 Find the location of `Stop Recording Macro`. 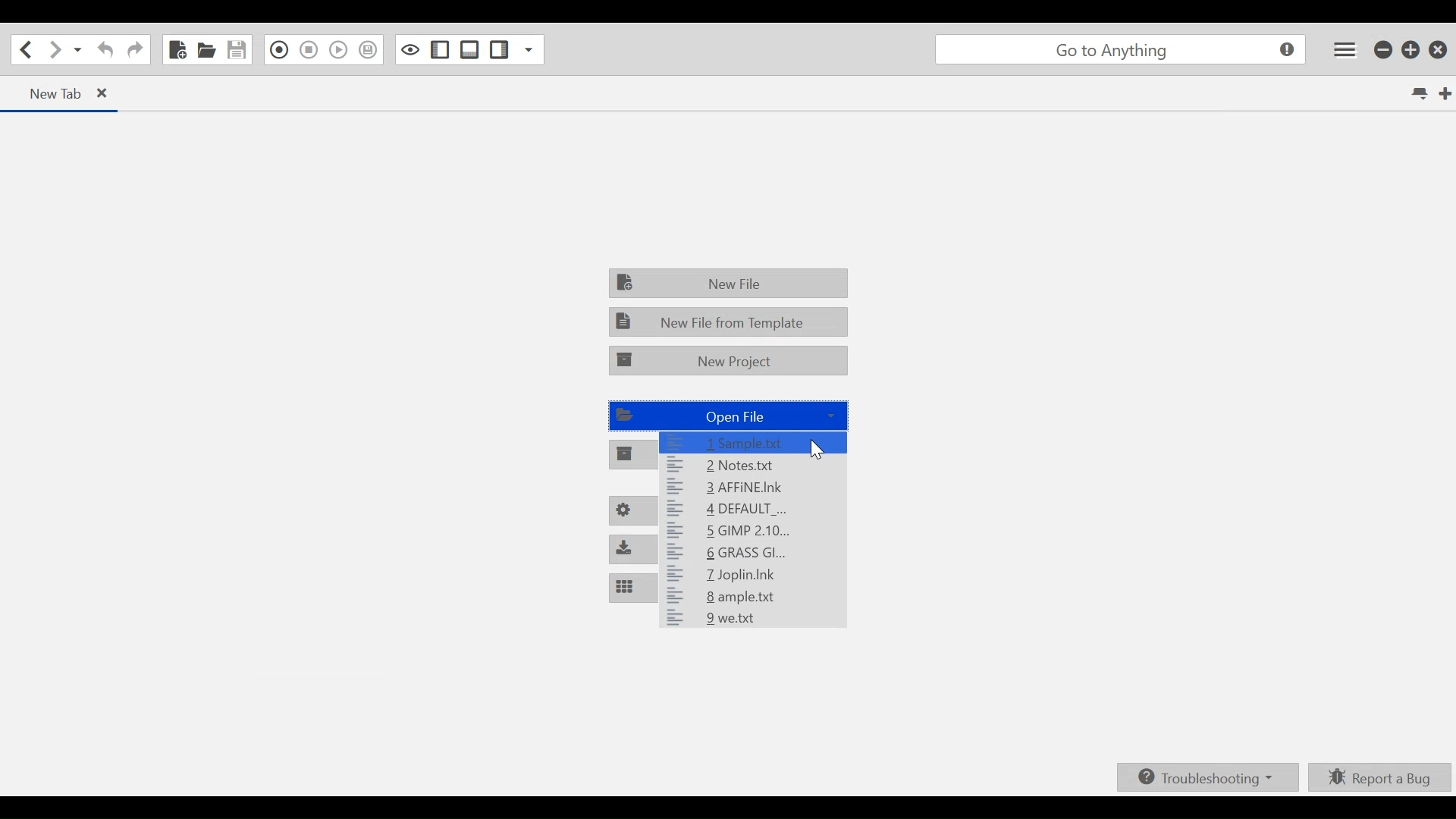

Stop Recording Macro is located at coordinates (309, 50).